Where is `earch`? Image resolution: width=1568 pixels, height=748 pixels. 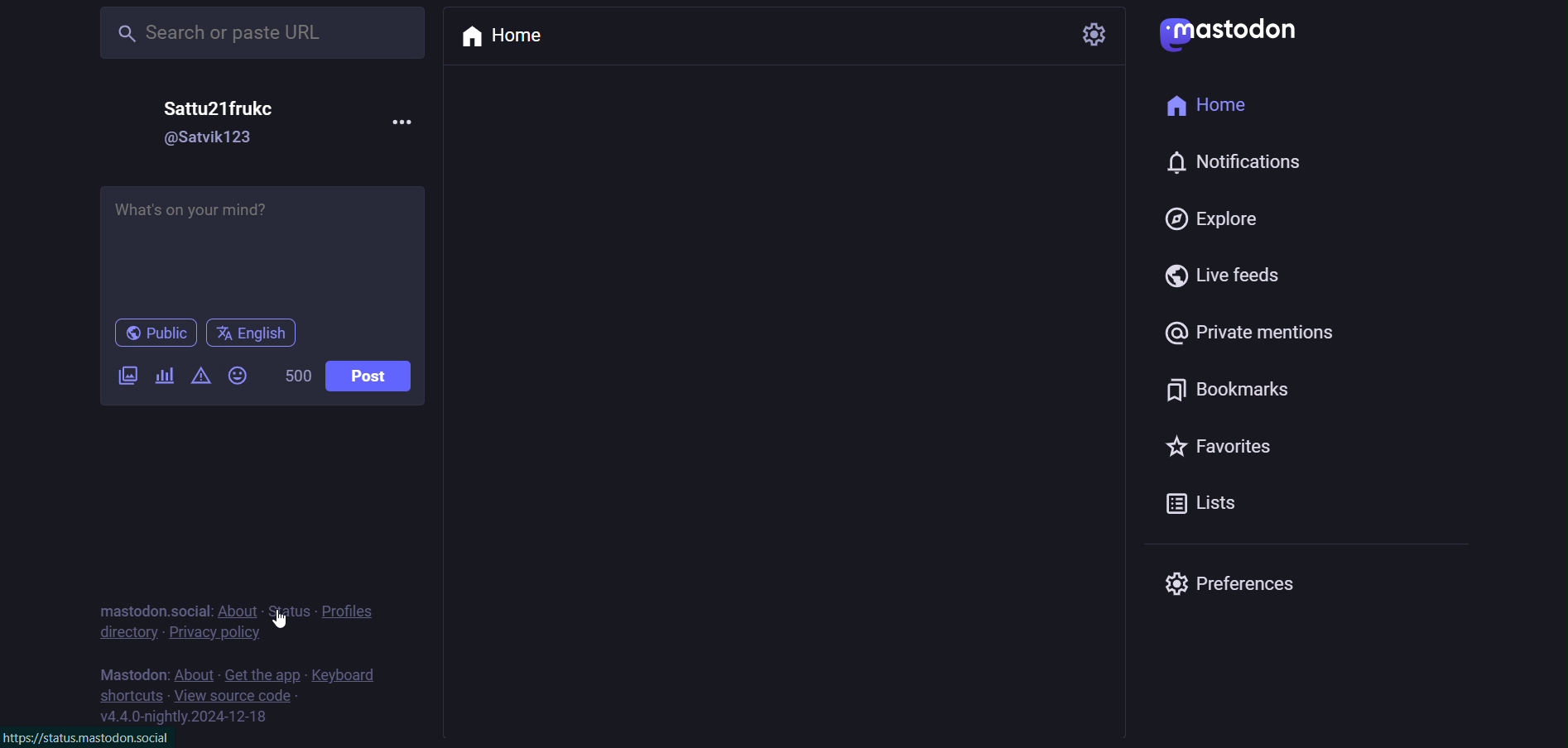
earch is located at coordinates (262, 37).